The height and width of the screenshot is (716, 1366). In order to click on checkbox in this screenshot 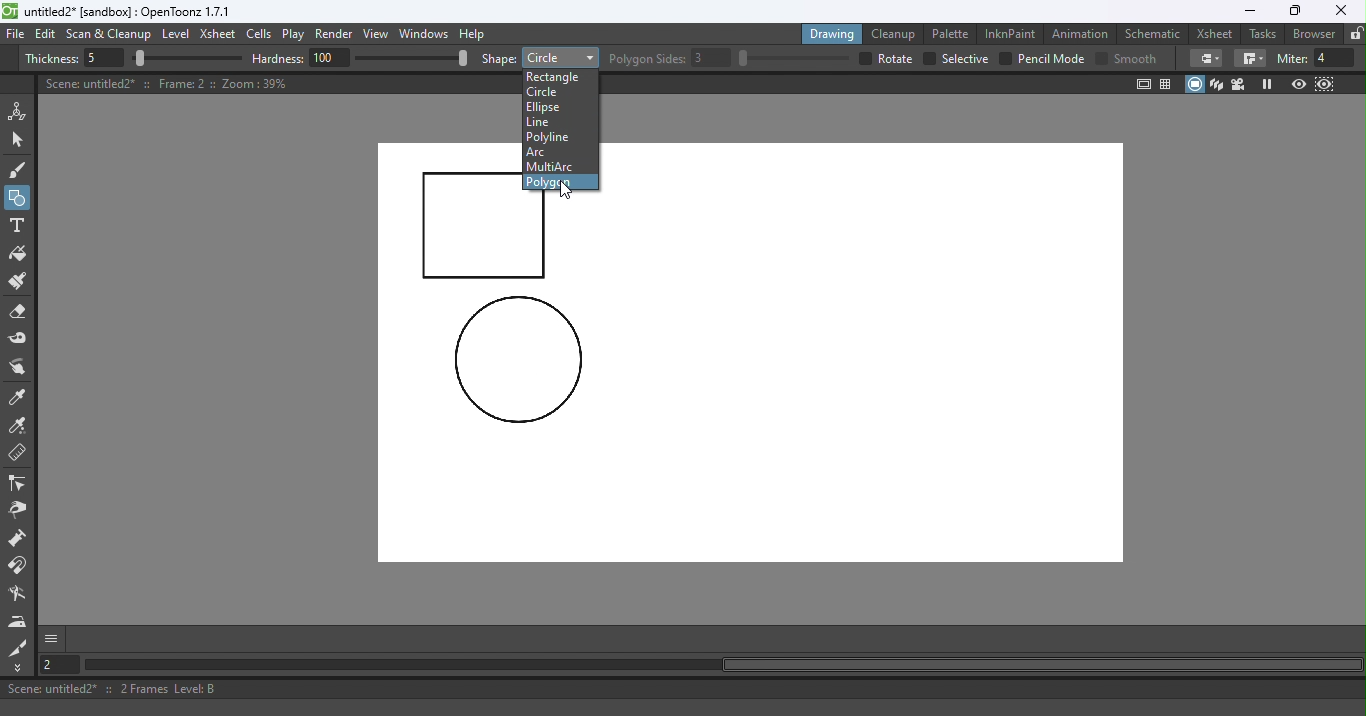, I will do `click(928, 59)`.